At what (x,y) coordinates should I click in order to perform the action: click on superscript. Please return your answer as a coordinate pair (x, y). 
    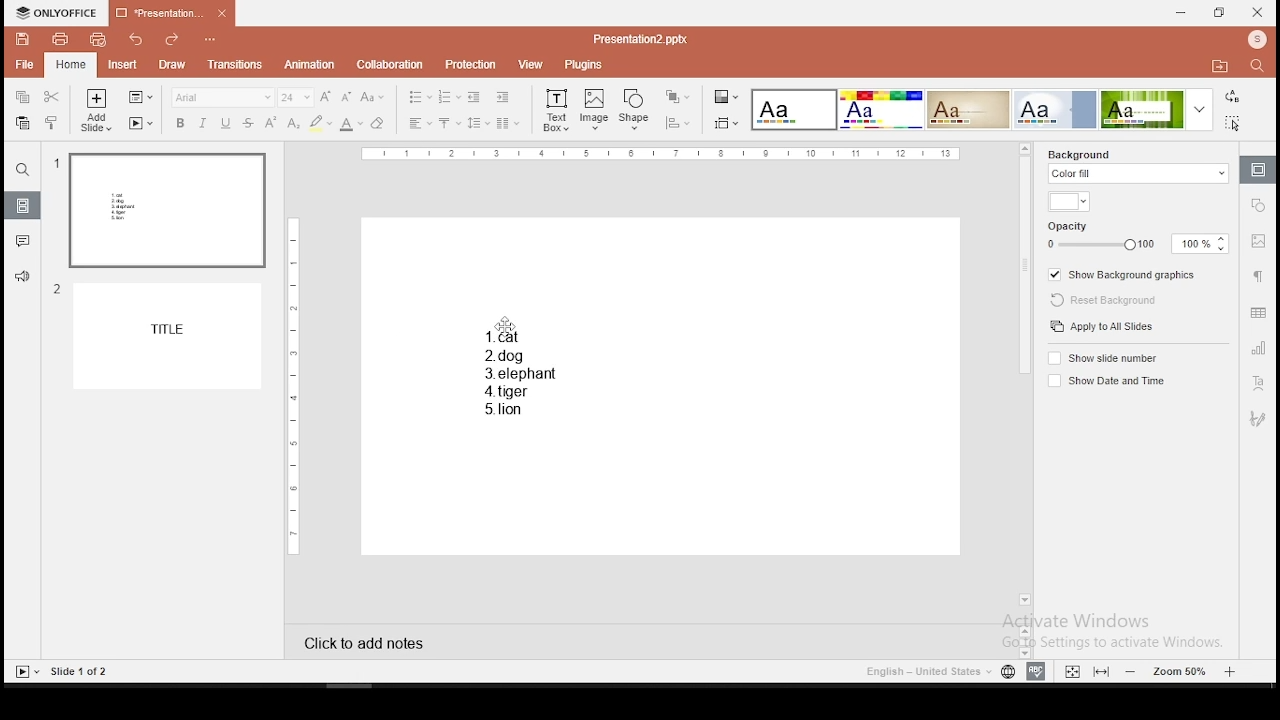
    Looking at the image, I should click on (271, 123).